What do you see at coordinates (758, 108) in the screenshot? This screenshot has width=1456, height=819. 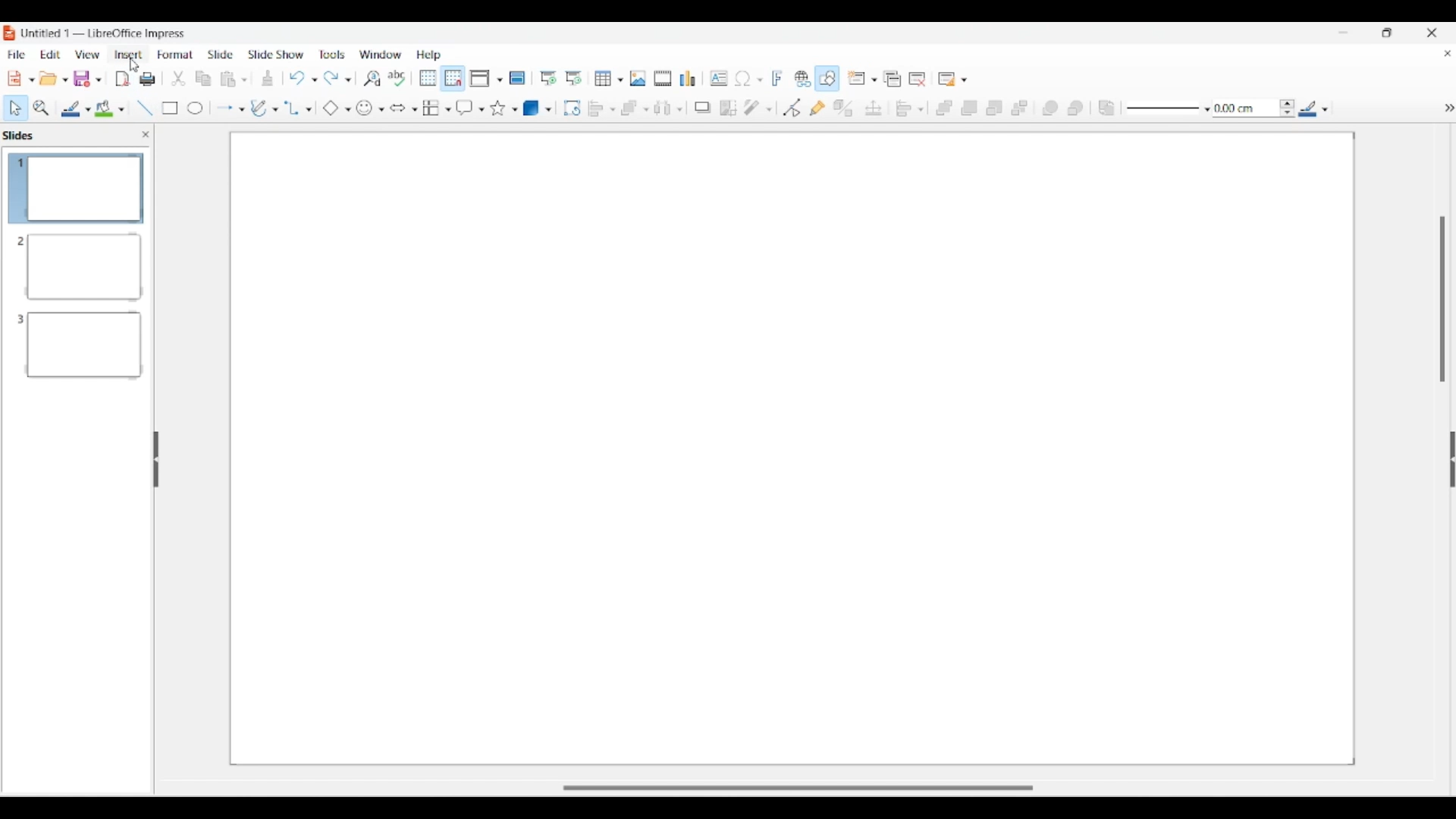 I see `Filter options` at bounding box center [758, 108].